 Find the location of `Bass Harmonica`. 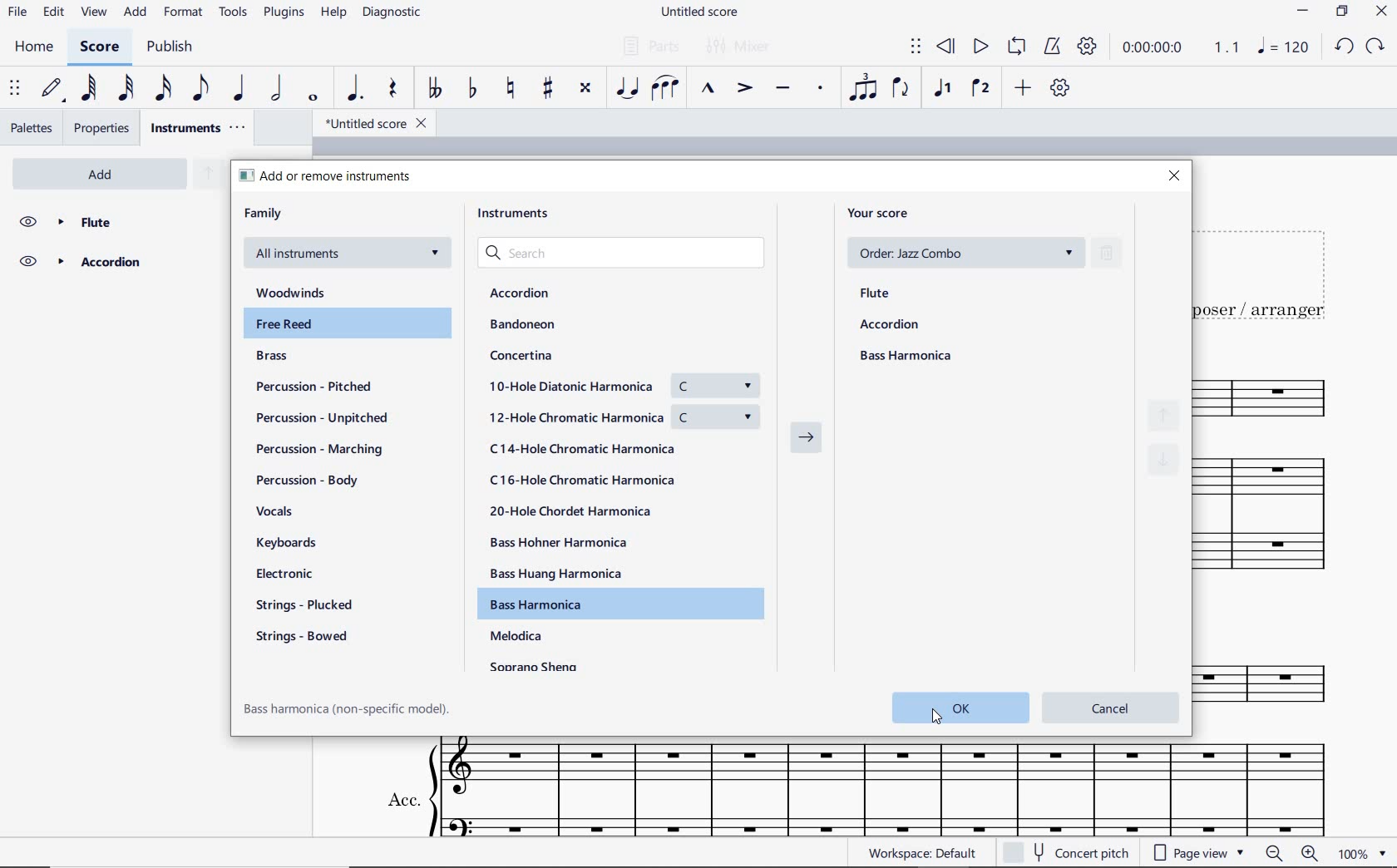

Bass Harmonica is located at coordinates (540, 606).